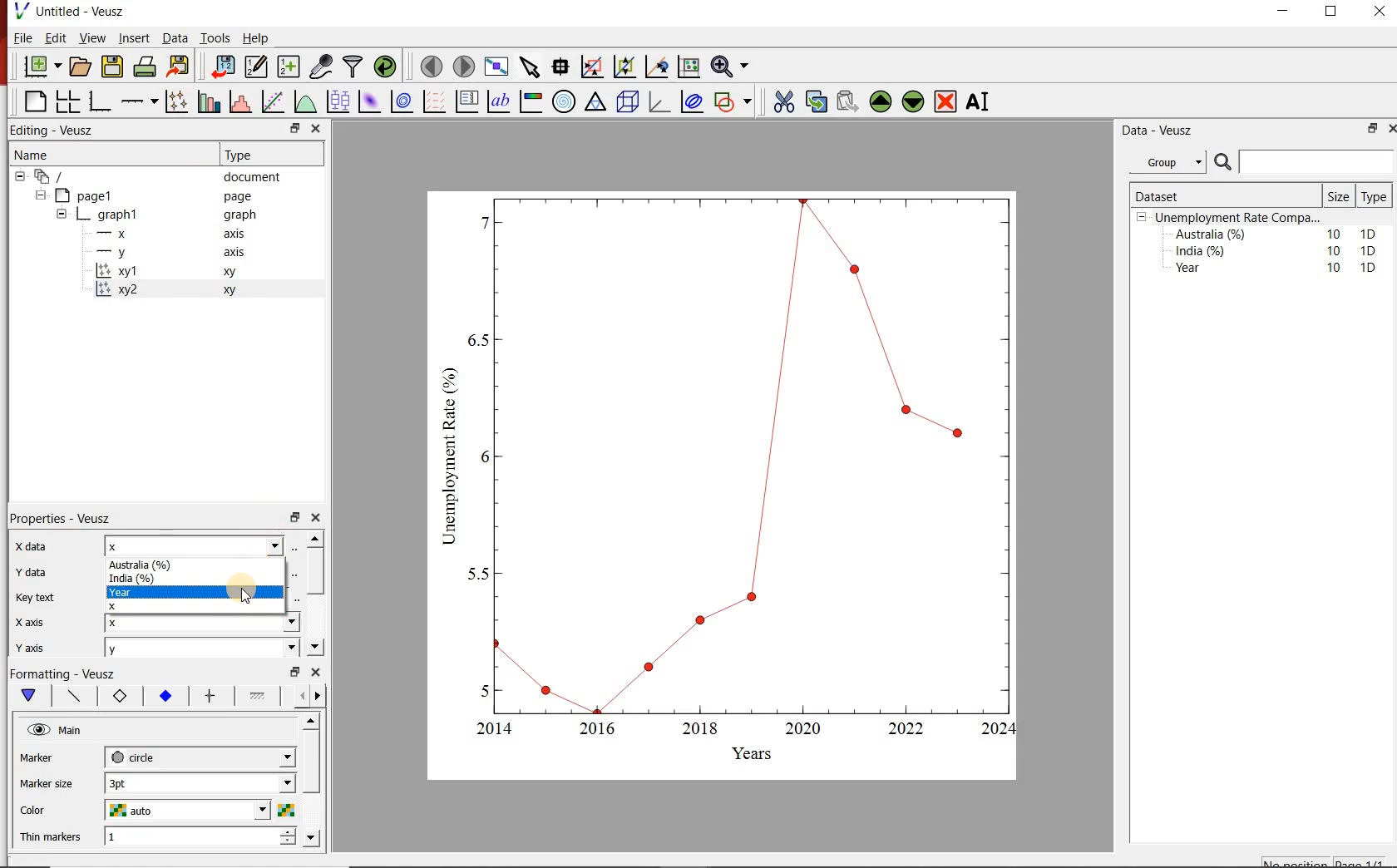 This screenshot has height=868, width=1397. Describe the element at coordinates (197, 782) in the screenshot. I see `1 pt` at that location.